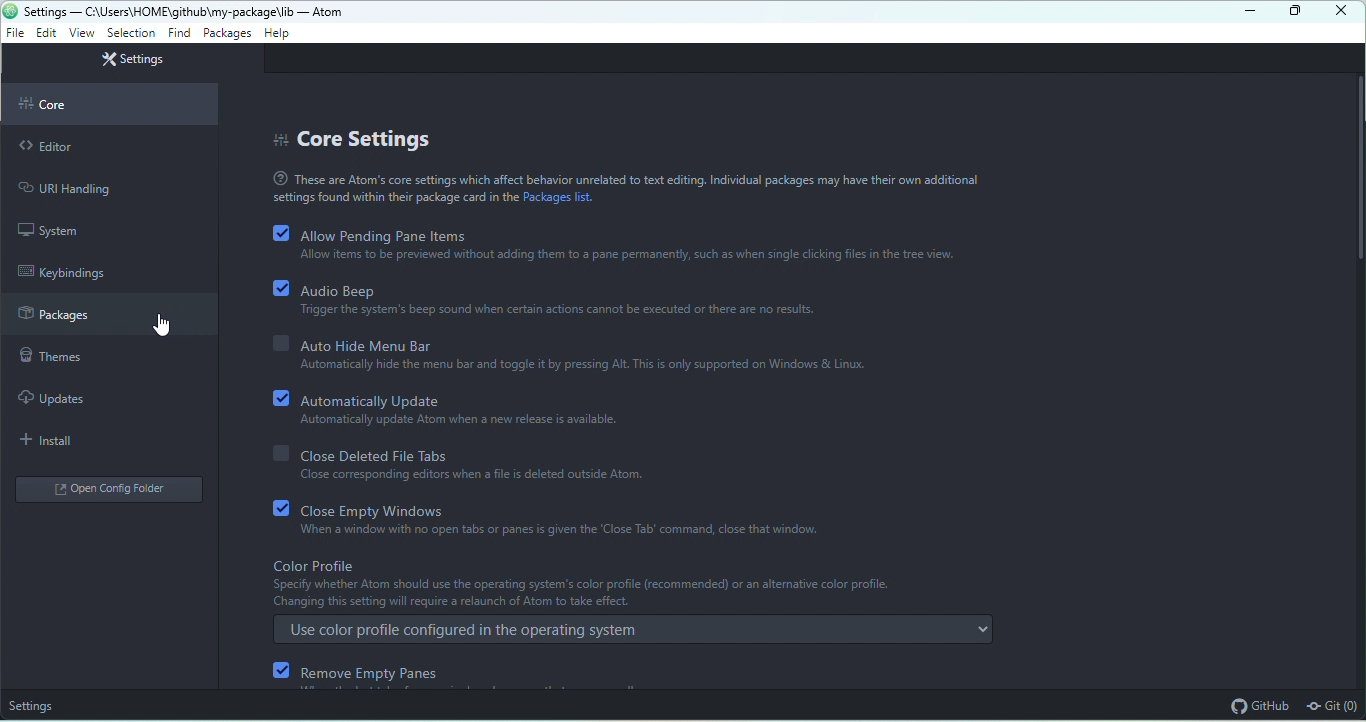 The image size is (1366, 722). I want to click on checkbox with tick, so click(283, 397).